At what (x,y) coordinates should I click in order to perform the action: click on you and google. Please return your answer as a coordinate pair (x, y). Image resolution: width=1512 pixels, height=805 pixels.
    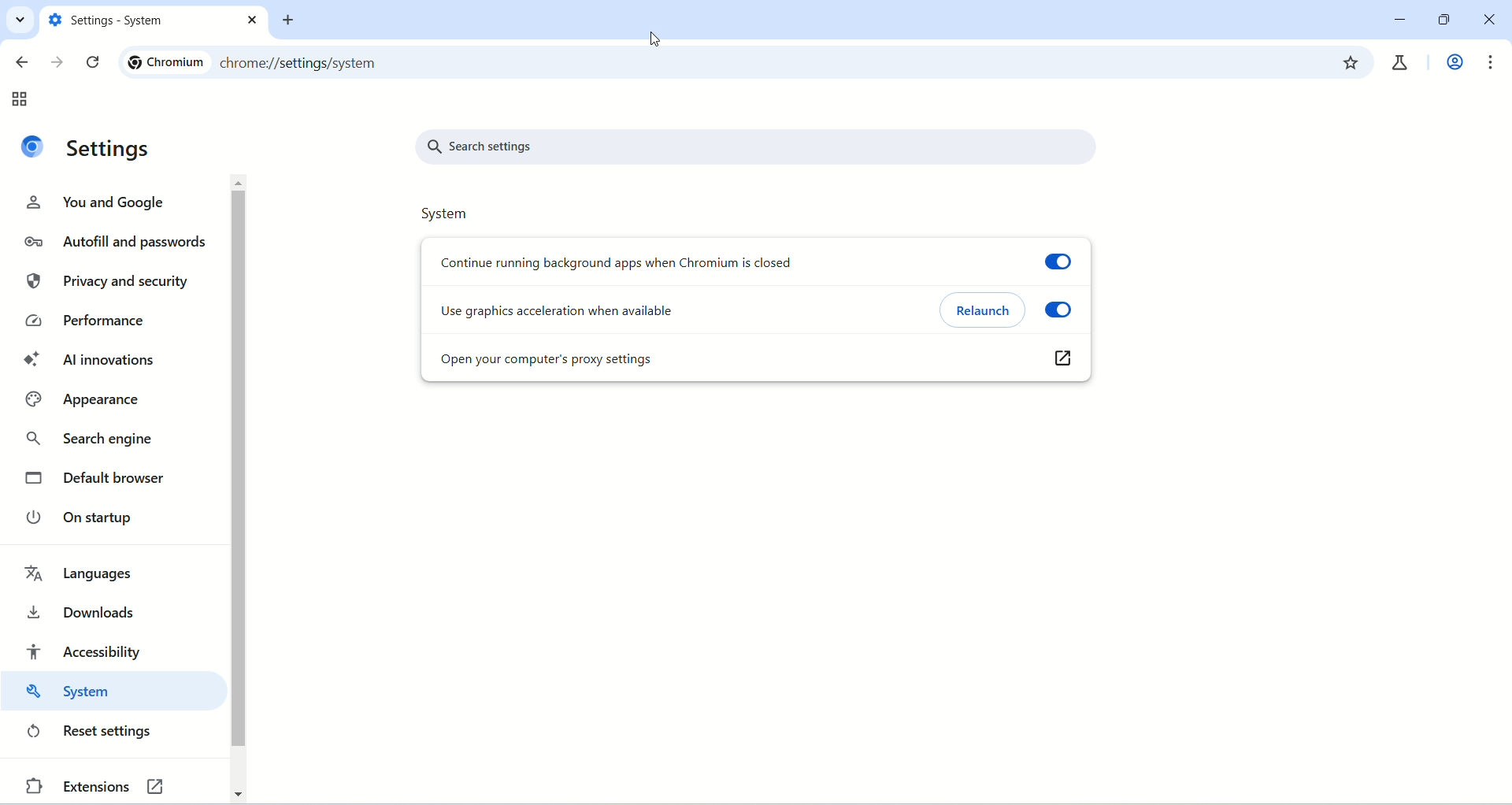
    Looking at the image, I should click on (106, 204).